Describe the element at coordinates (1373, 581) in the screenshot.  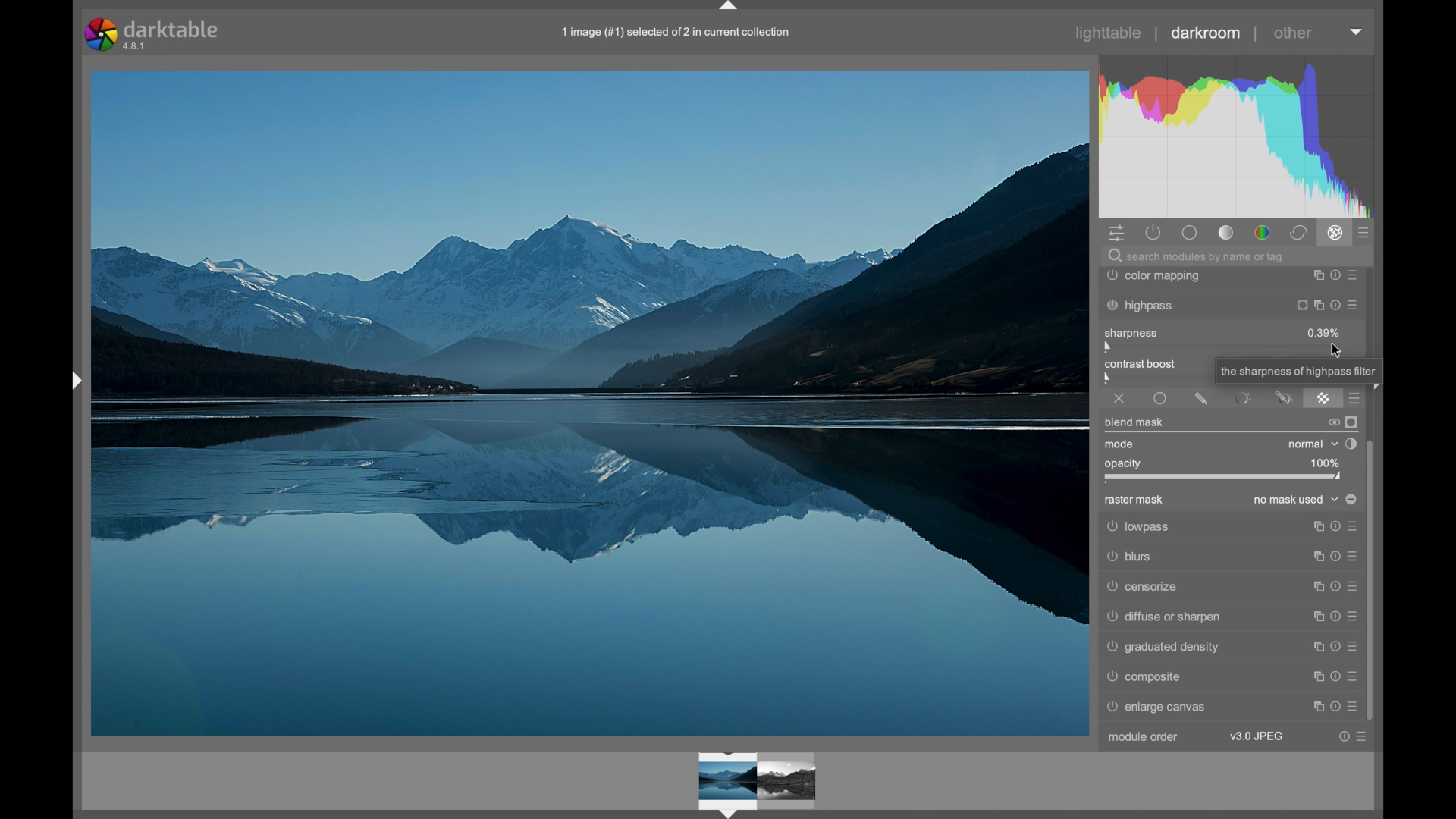
I see `scroll box` at that location.